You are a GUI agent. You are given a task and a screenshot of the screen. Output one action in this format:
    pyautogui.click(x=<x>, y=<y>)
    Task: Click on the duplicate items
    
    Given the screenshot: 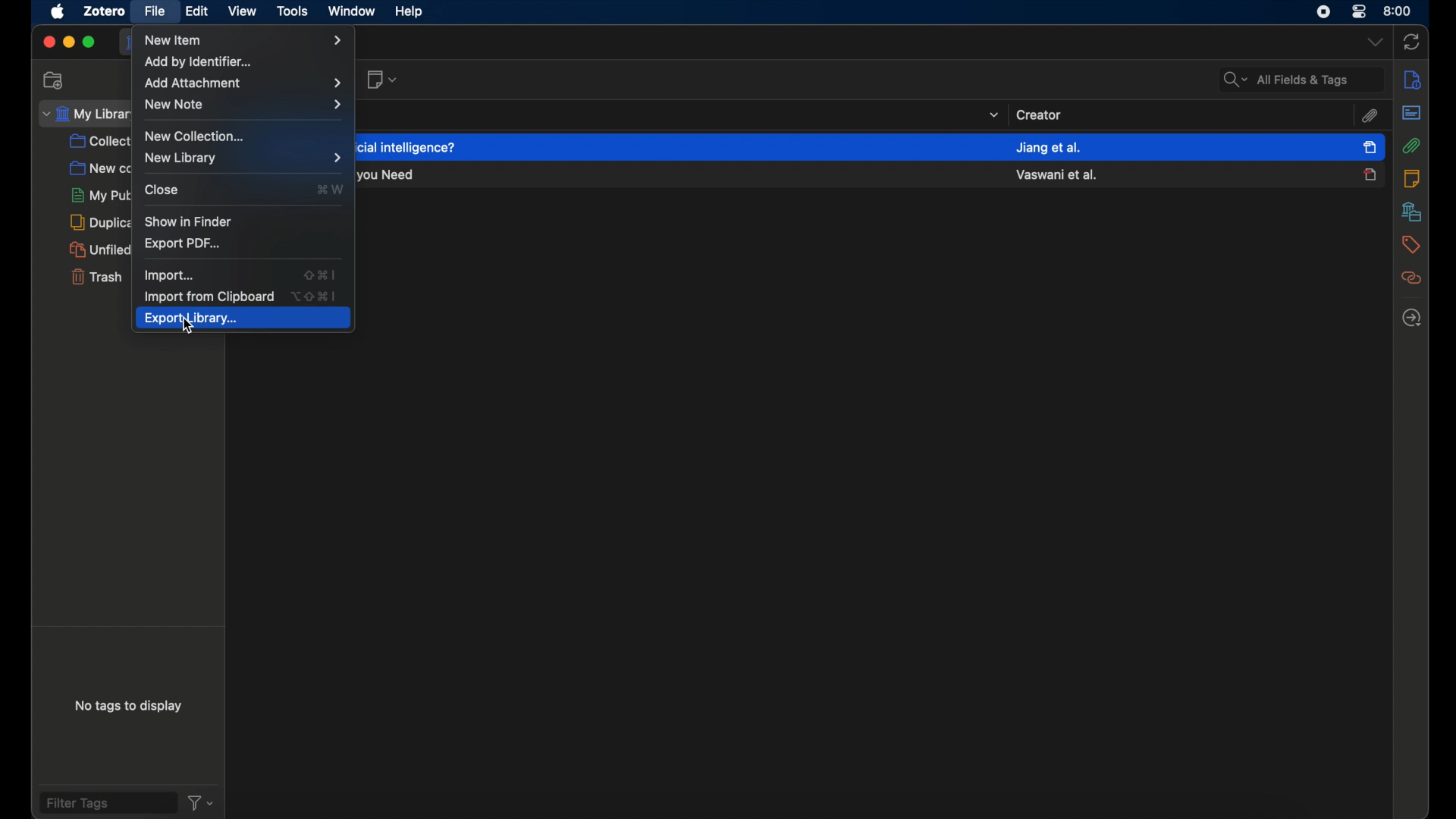 What is the action you would take?
    pyautogui.click(x=99, y=222)
    